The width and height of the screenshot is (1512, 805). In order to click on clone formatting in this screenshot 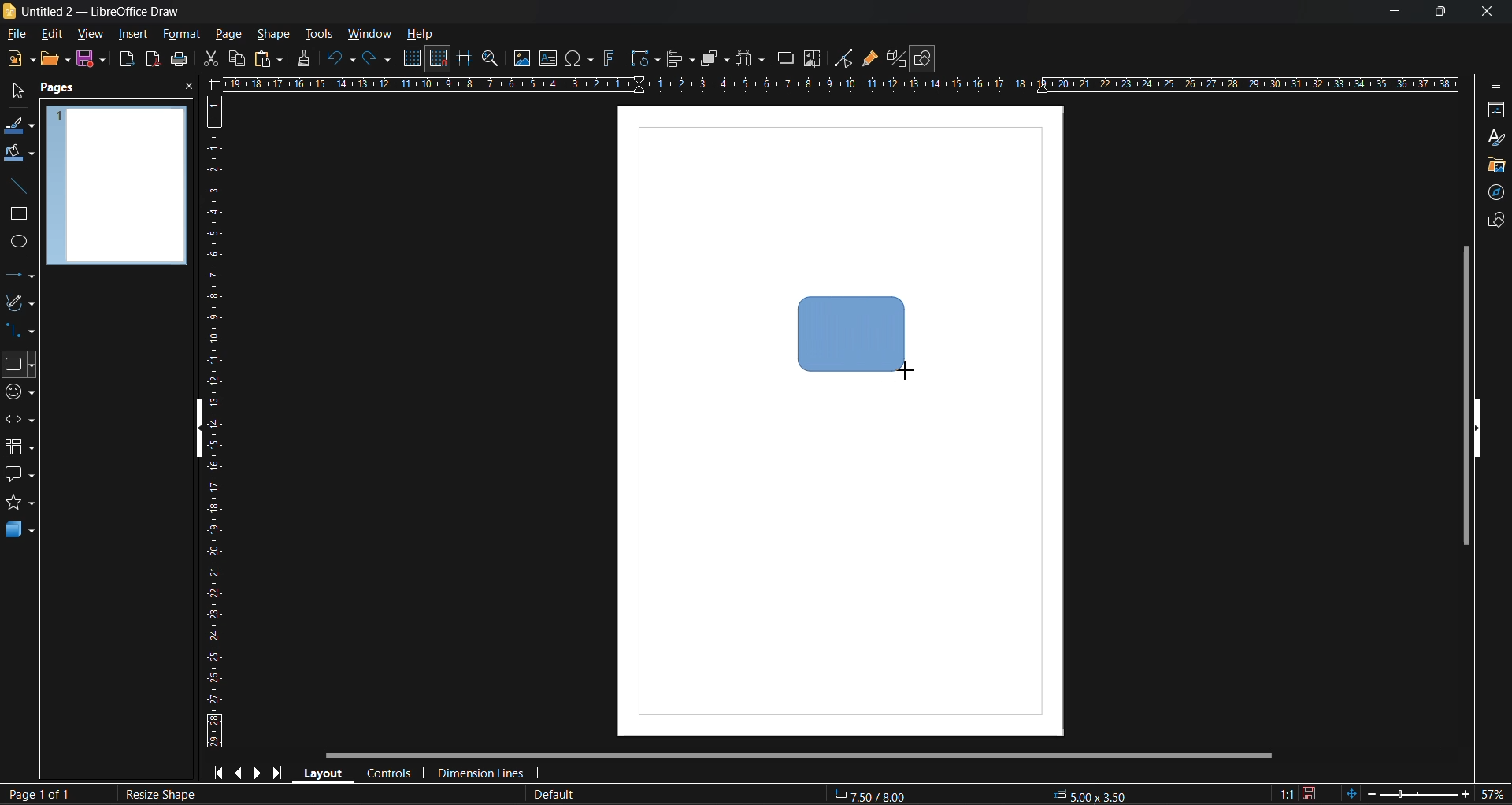, I will do `click(308, 59)`.